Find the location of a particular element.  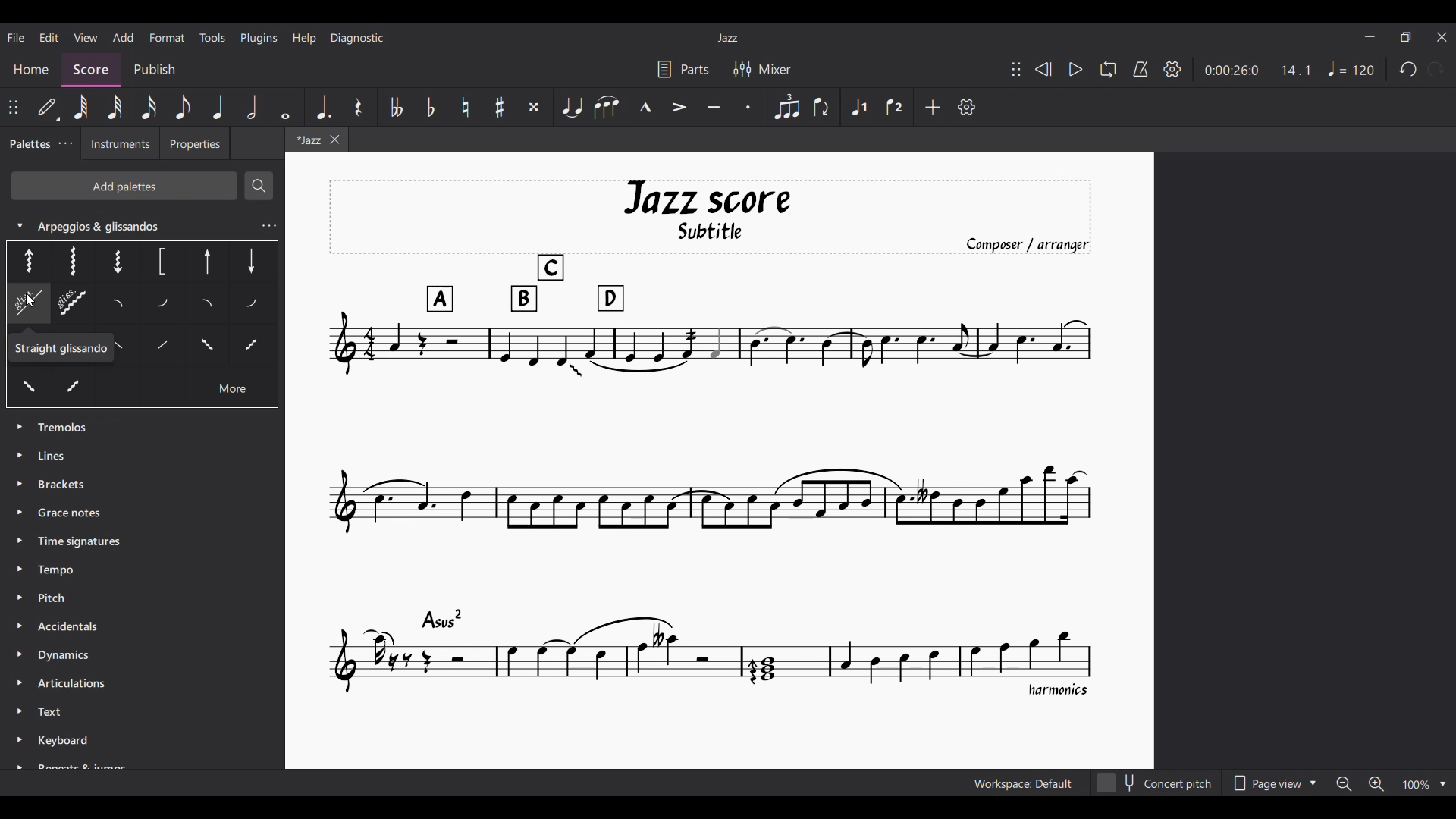

Concert pitch toggle is located at coordinates (1156, 783).